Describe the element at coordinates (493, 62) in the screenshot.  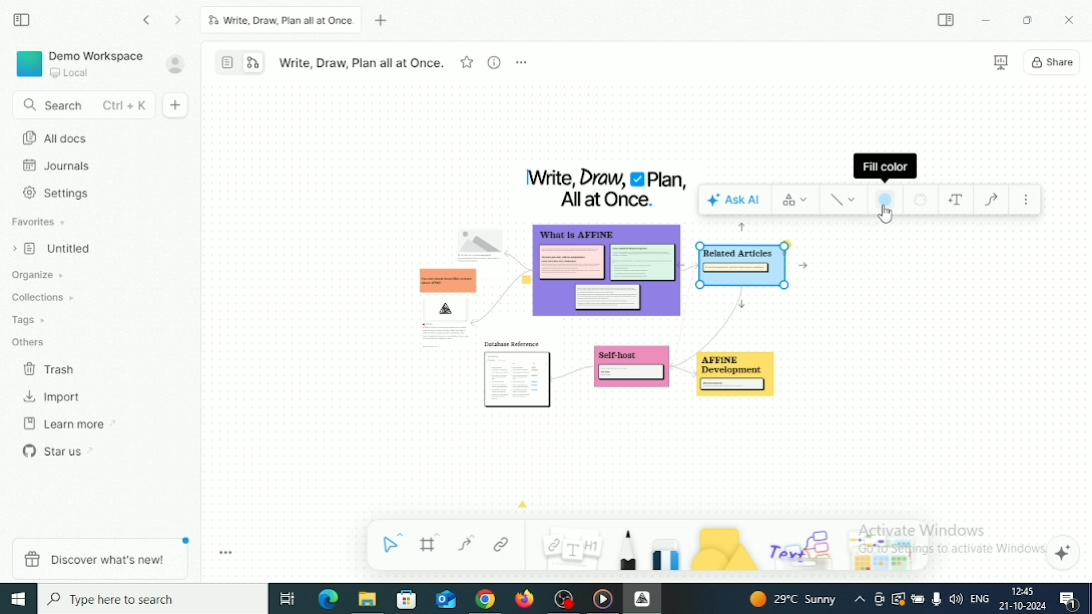
I see `View Info` at that location.